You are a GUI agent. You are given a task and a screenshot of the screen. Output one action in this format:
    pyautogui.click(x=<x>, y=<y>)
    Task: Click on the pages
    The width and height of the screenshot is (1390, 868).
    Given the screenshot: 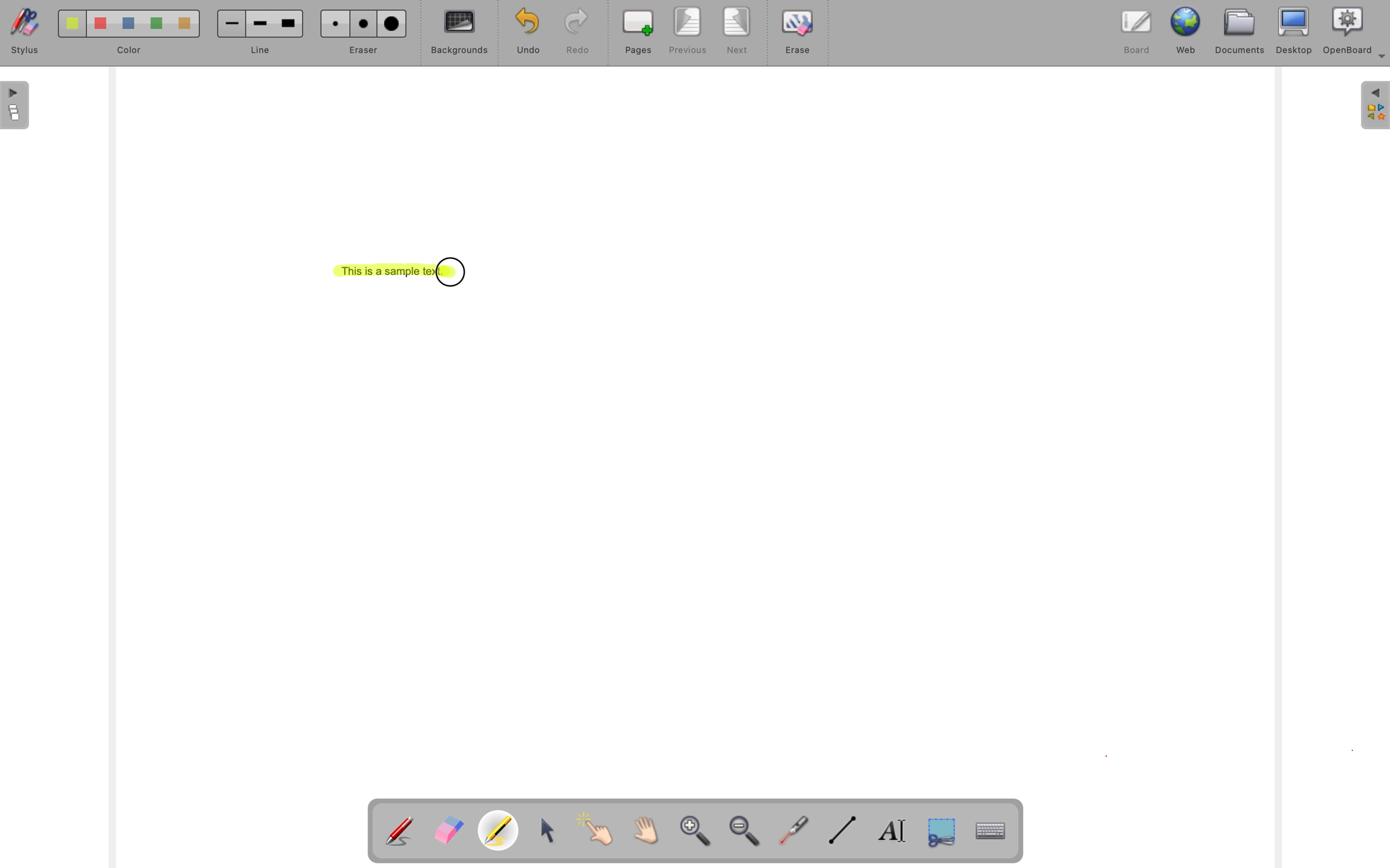 What is the action you would take?
    pyautogui.click(x=635, y=32)
    